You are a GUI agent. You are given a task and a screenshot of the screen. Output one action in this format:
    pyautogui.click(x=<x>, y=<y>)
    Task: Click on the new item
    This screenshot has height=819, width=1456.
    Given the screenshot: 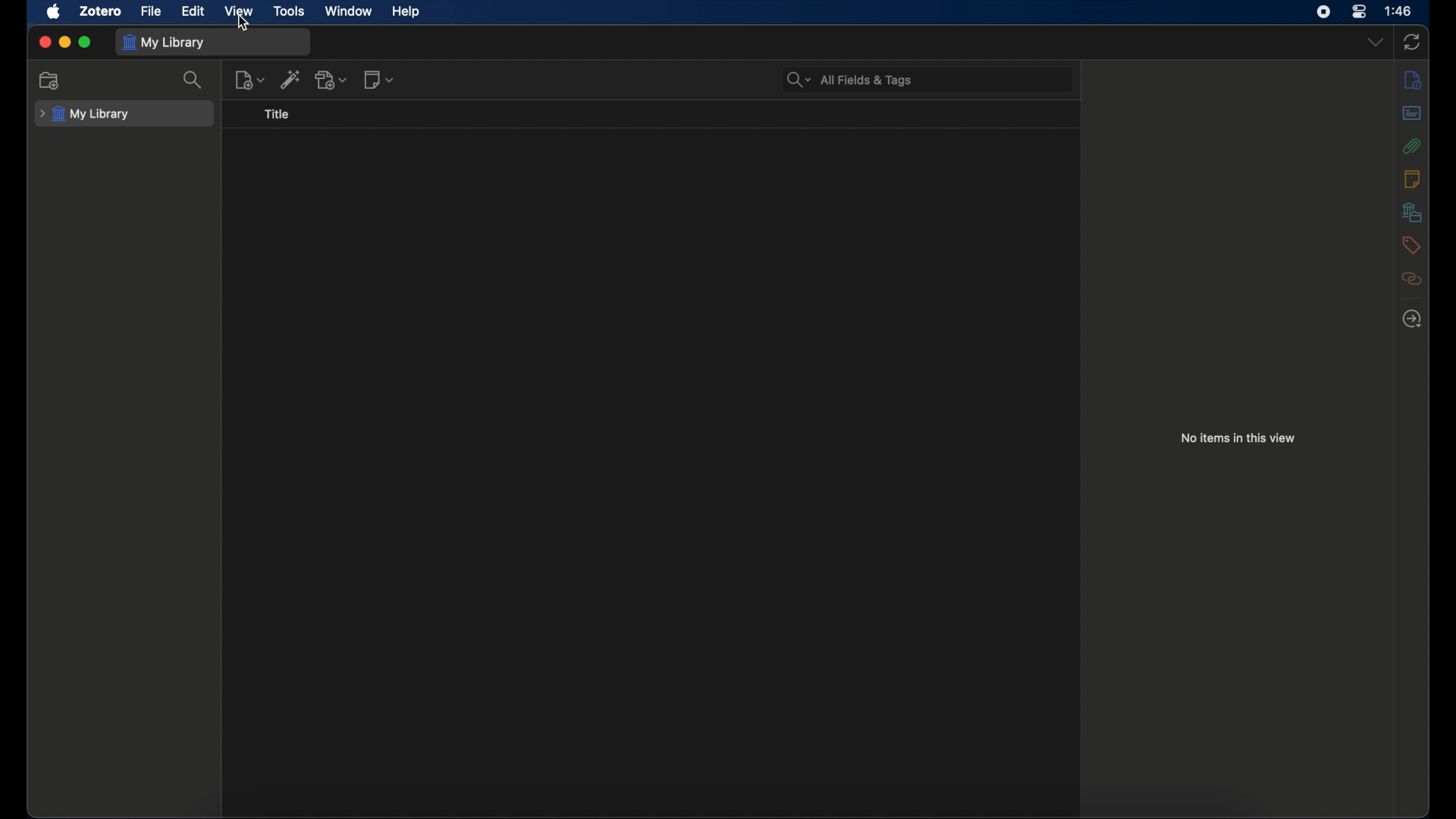 What is the action you would take?
    pyautogui.click(x=250, y=80)
    